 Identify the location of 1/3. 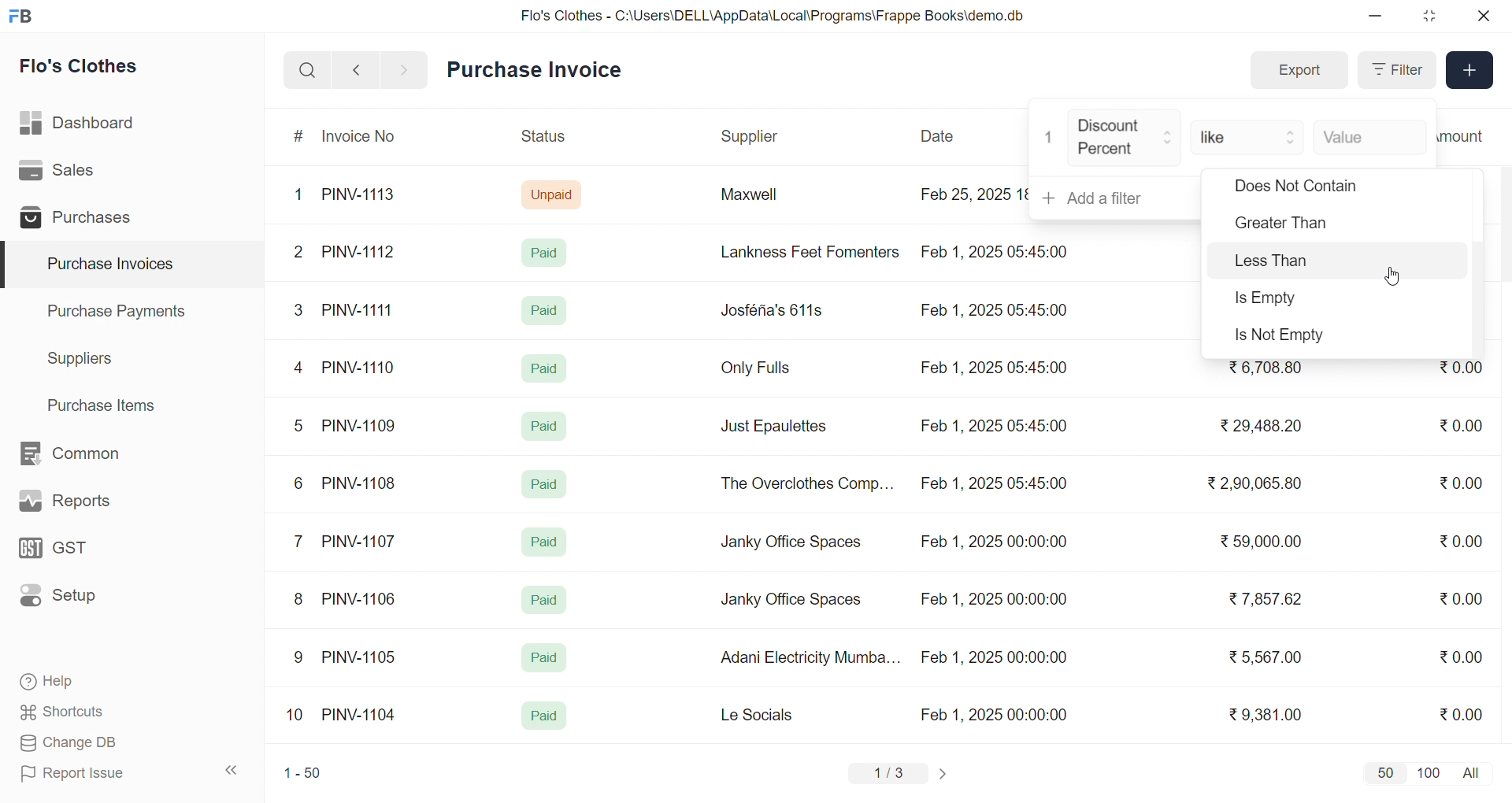
(889, 775).